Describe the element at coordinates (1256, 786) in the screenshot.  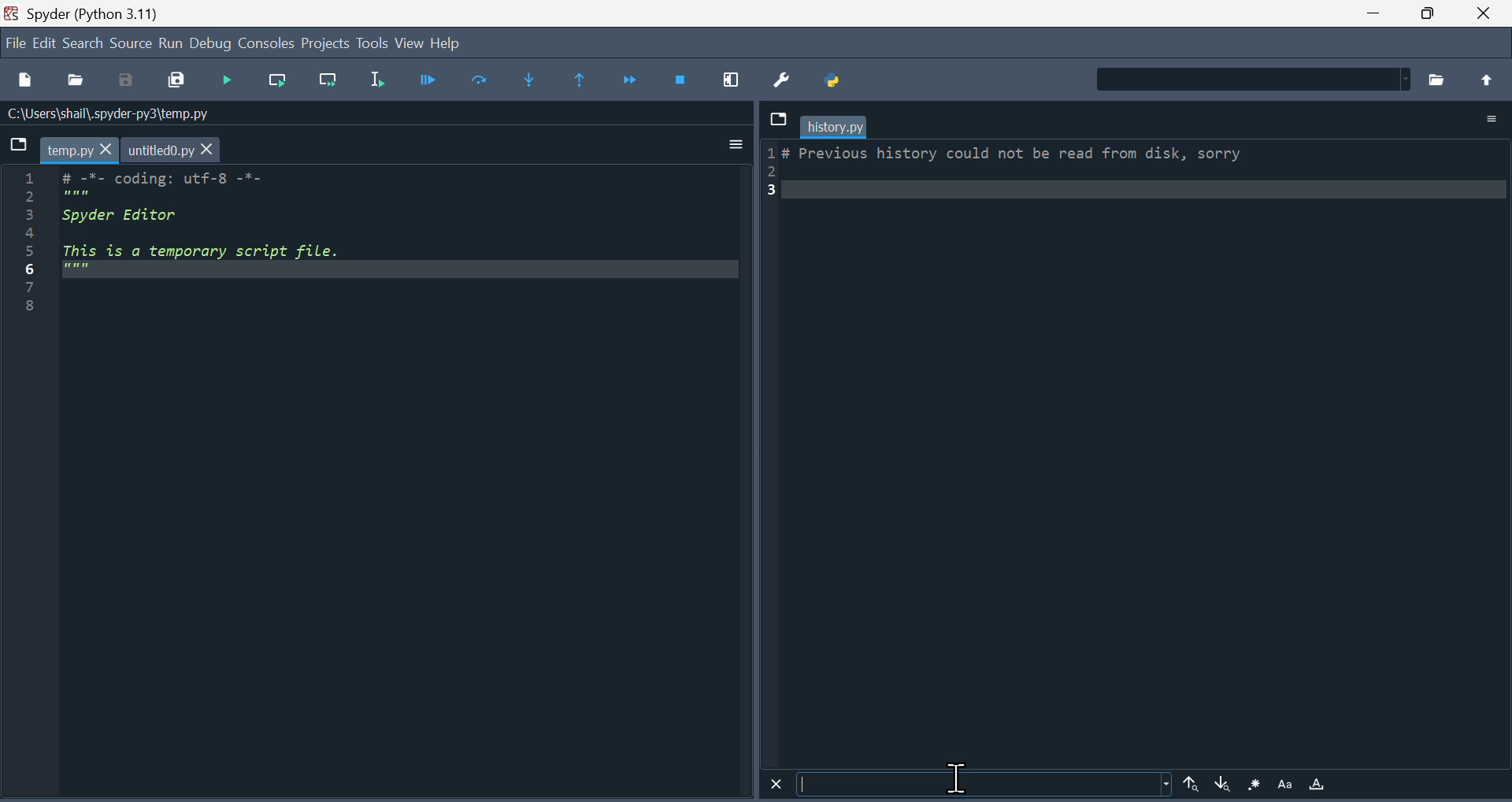
I see `Brightness Icon` at that location.